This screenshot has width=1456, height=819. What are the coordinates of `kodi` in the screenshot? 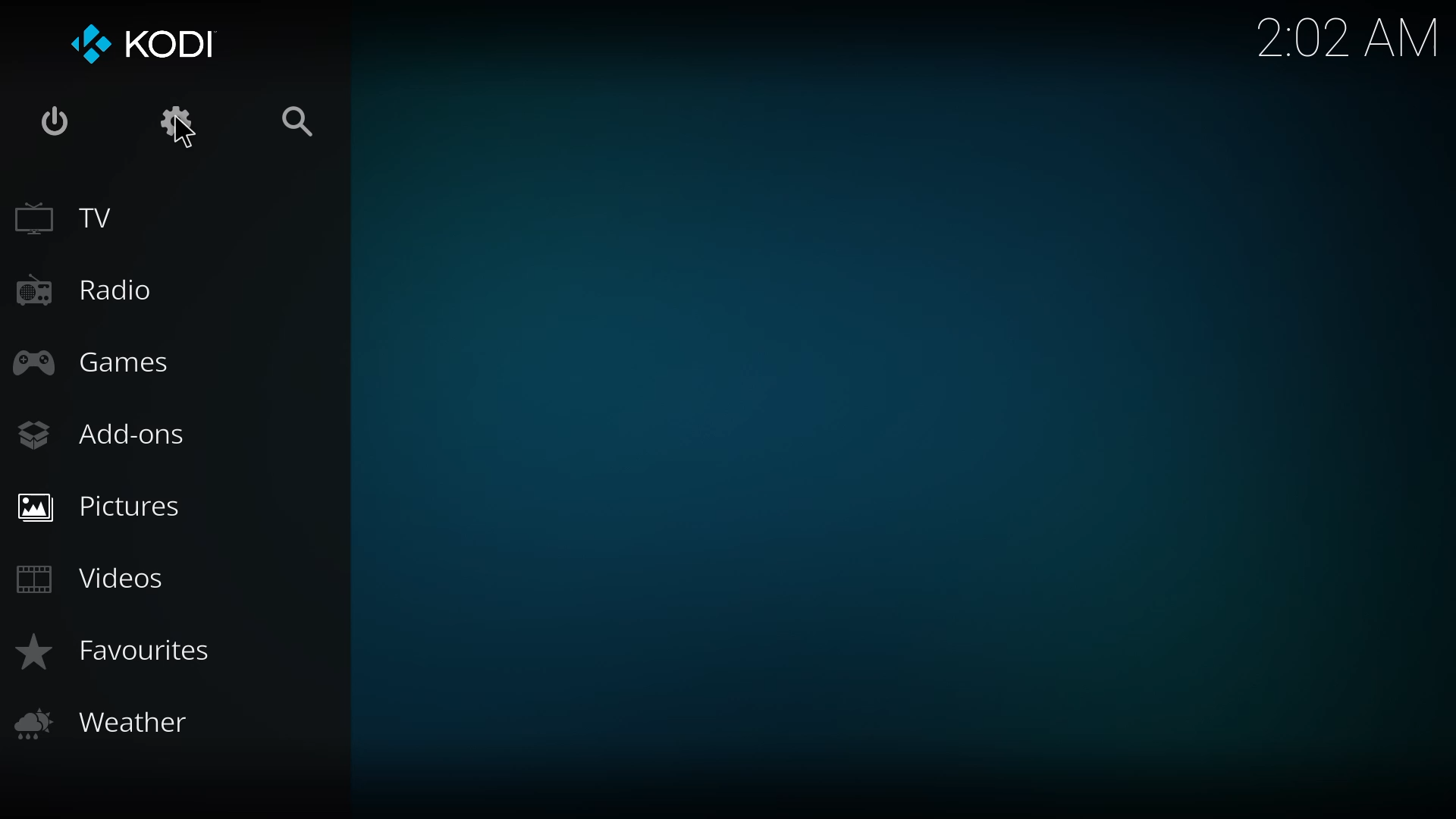 It's located at (147, 42).